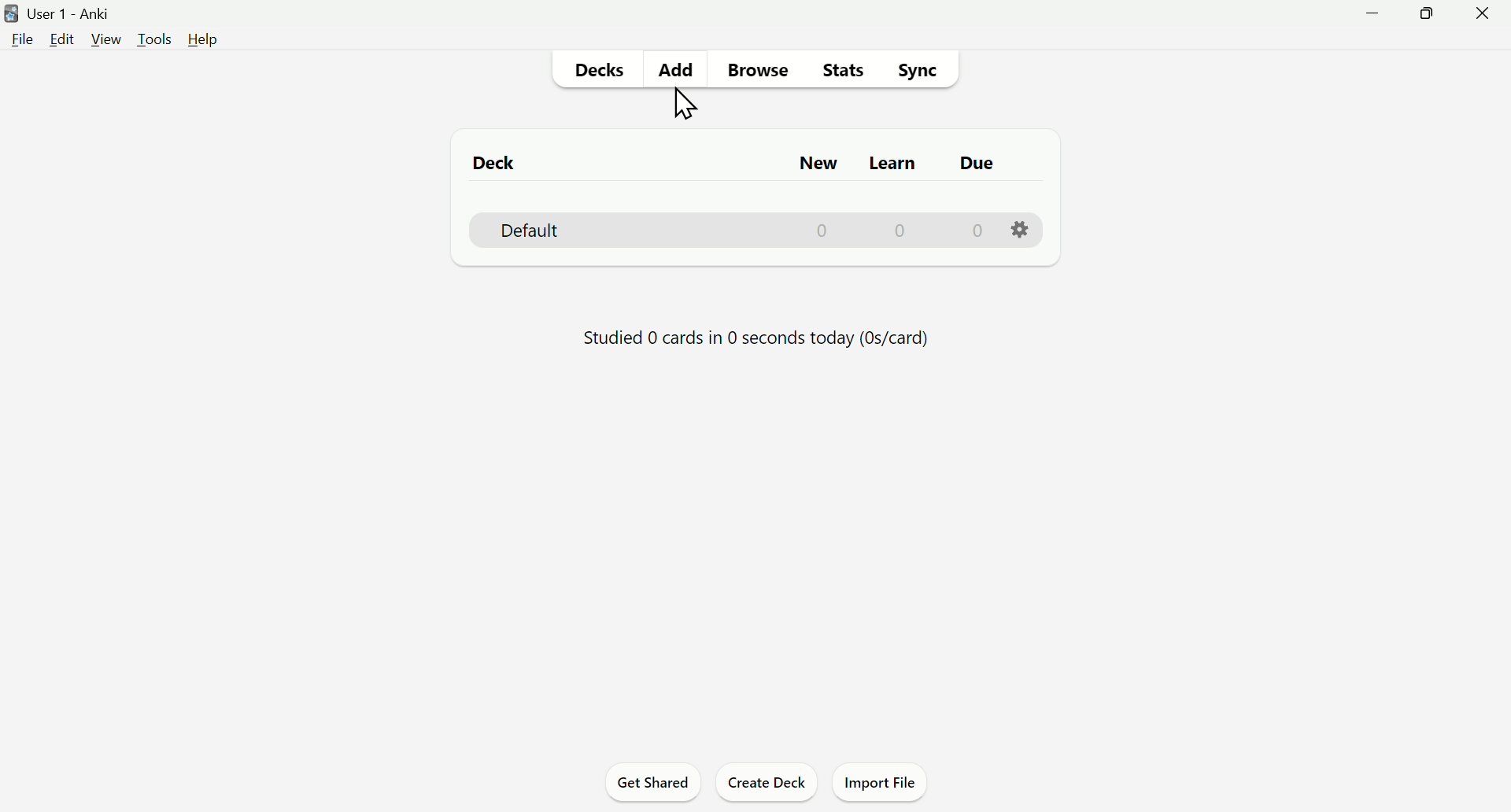 This screenshot has height=812, width=1511. Describe the element at coordinates (750, 338) in the screenshot. I see `progress` at that location.